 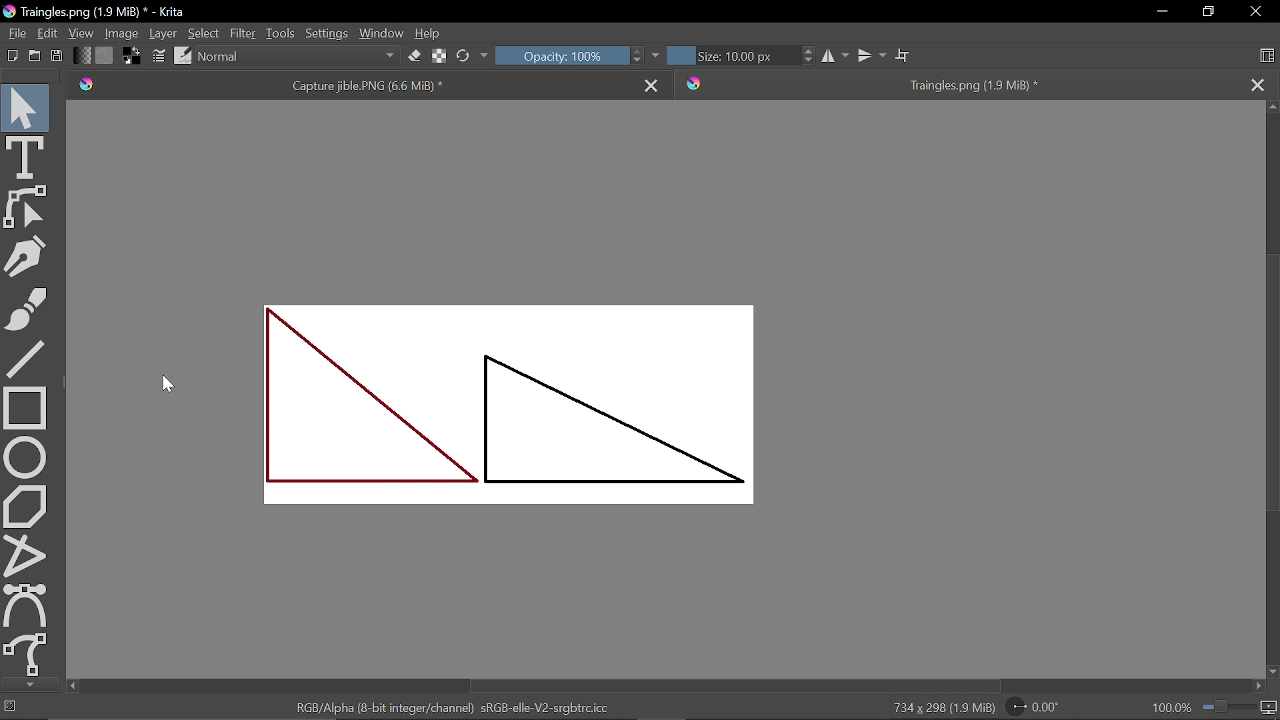 I want to click on Move down, so click(x=1272, y=671).